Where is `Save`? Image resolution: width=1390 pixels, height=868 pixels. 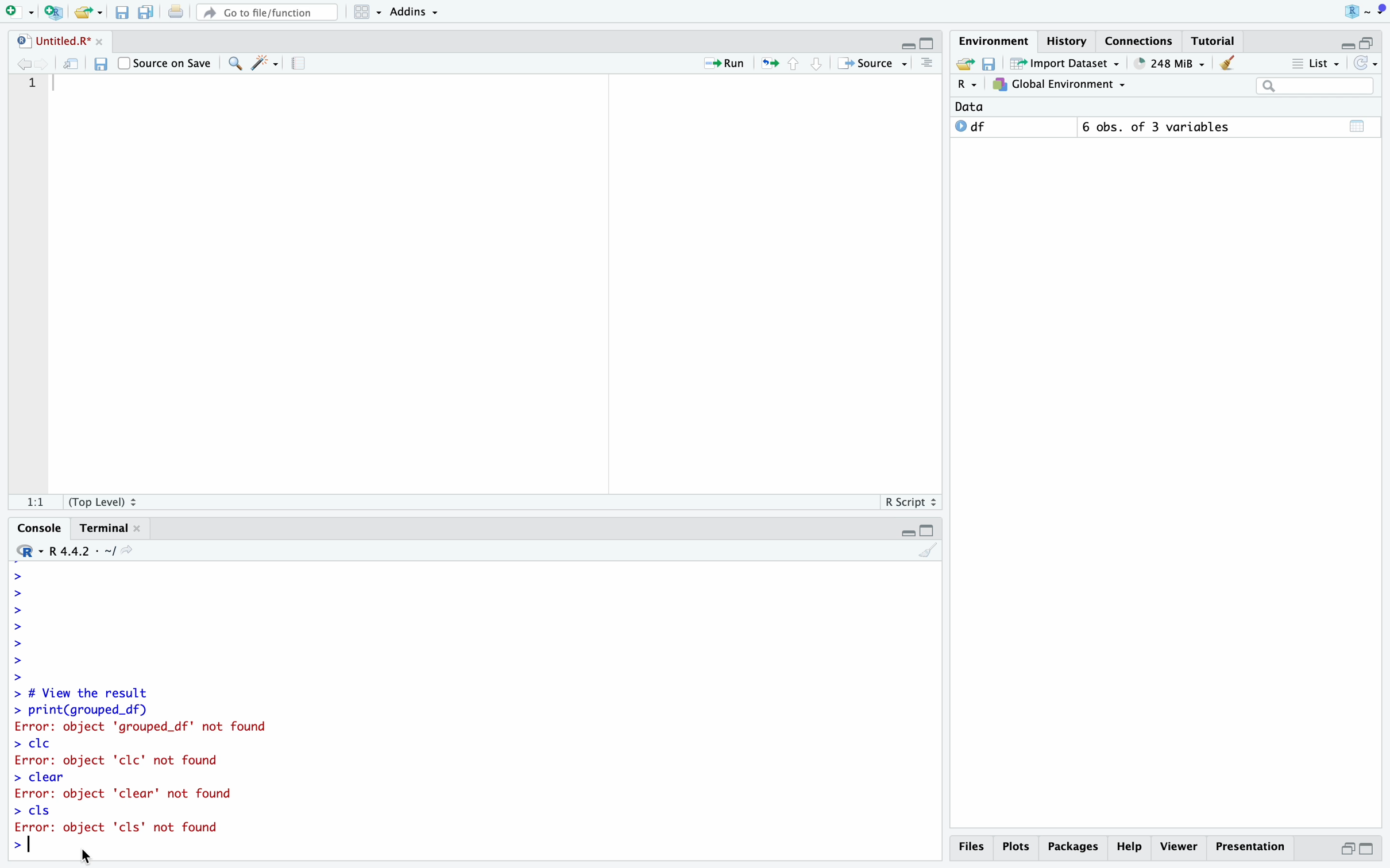 Save is located at coordinates (993, 63).